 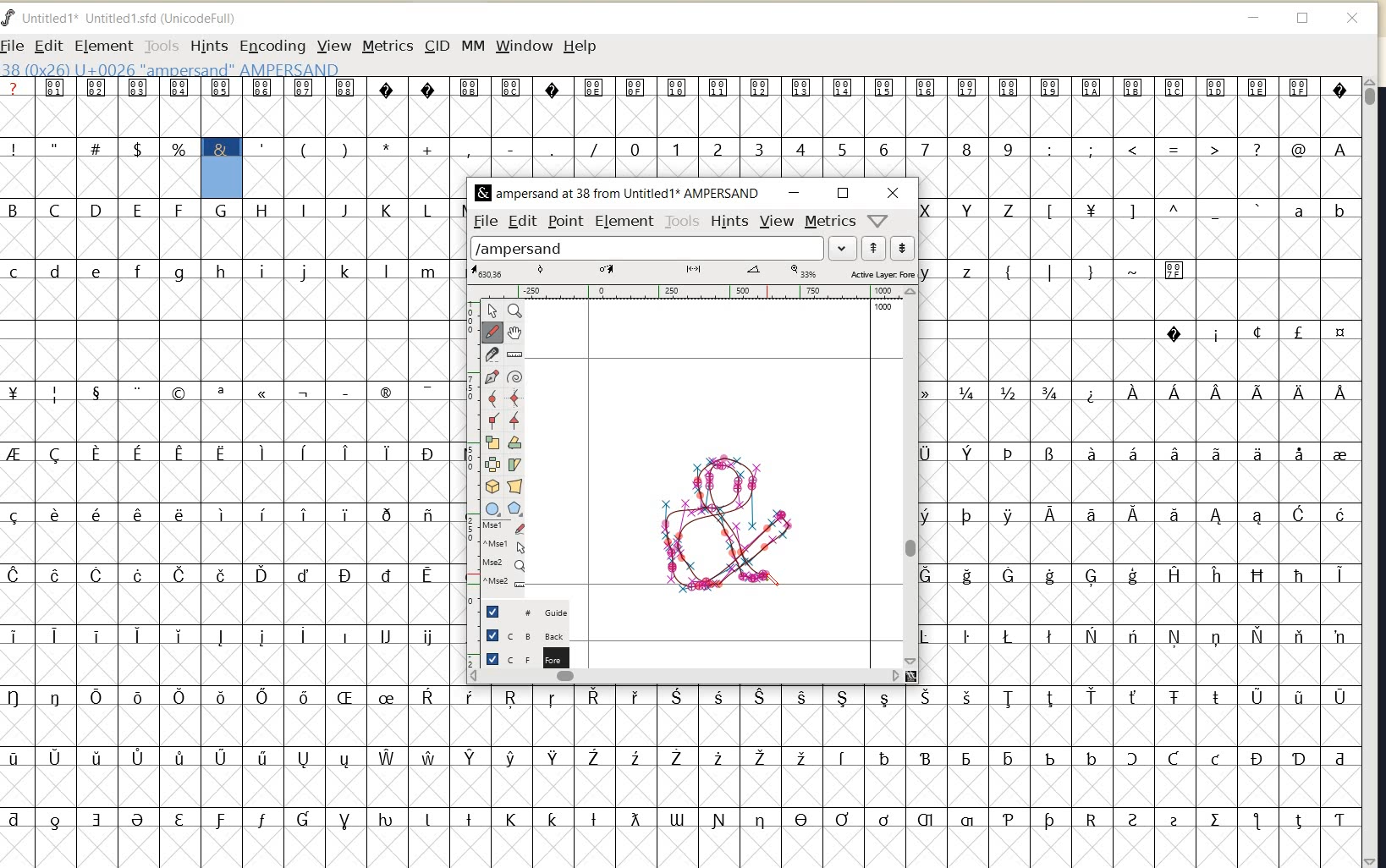 I want to click on SCROLLBAR, so click(x=911, y=477).